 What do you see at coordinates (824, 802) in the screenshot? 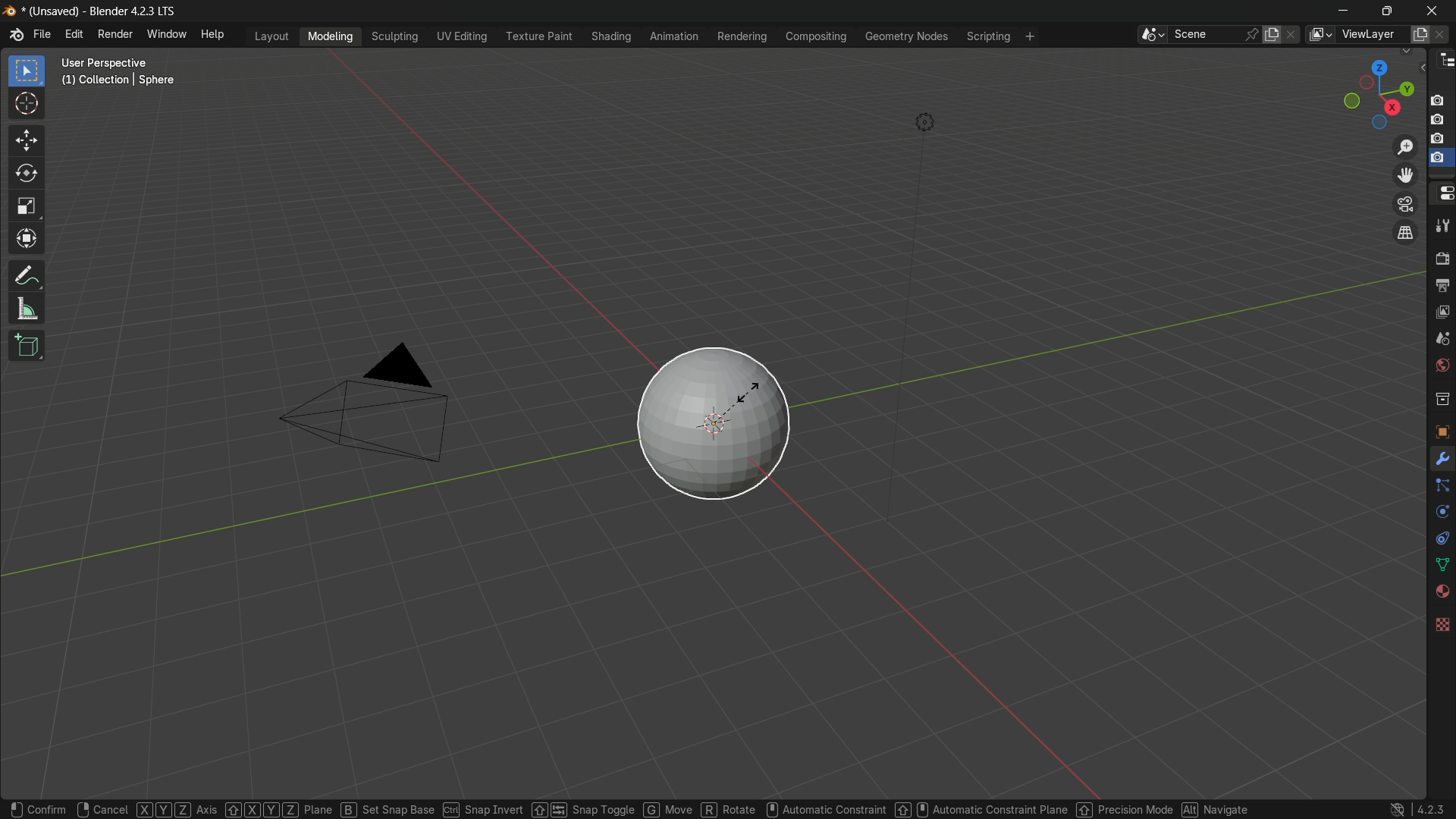
I see `automatic constraint` at bounding box center [824, 802].